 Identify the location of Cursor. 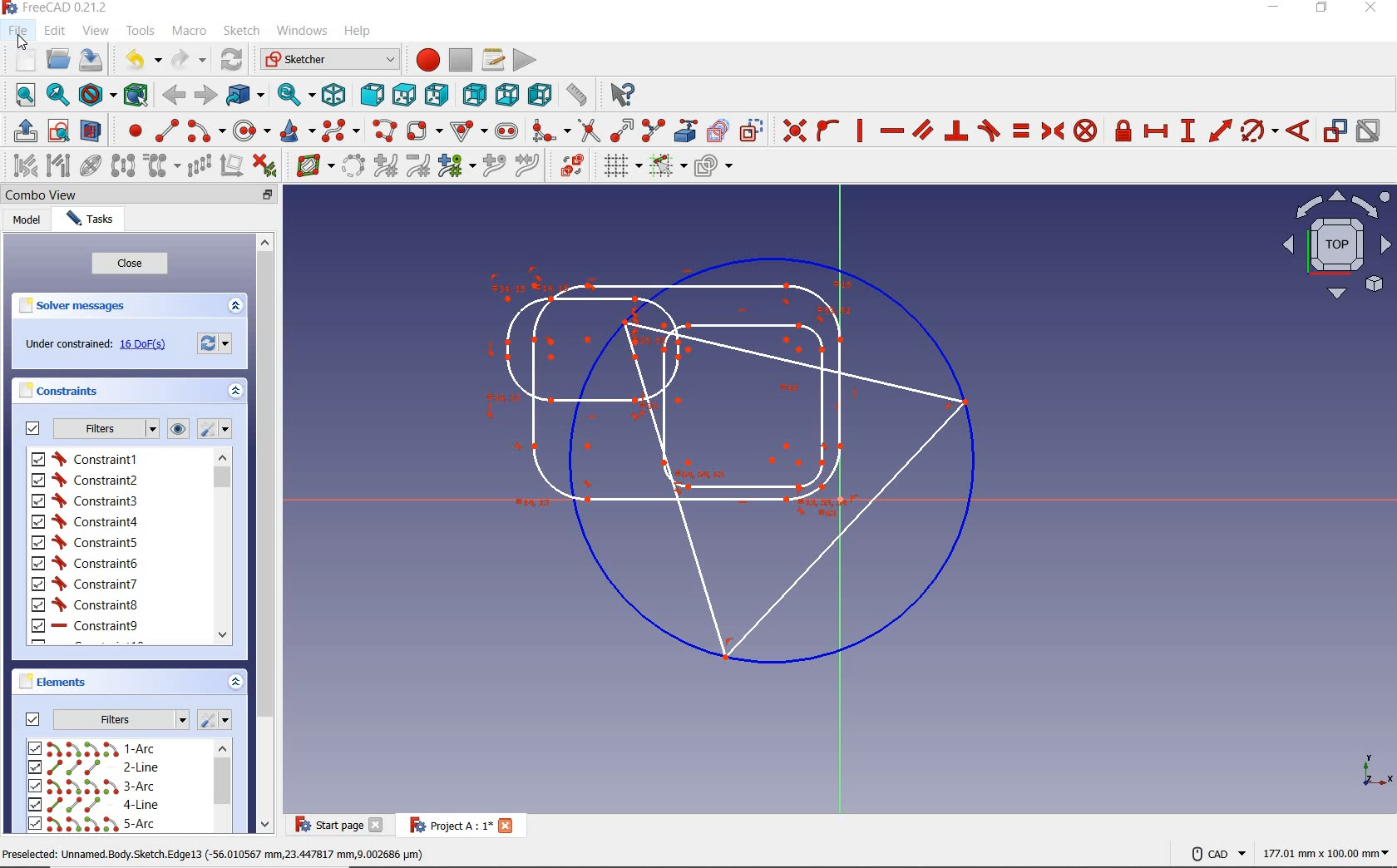
(22, 42).